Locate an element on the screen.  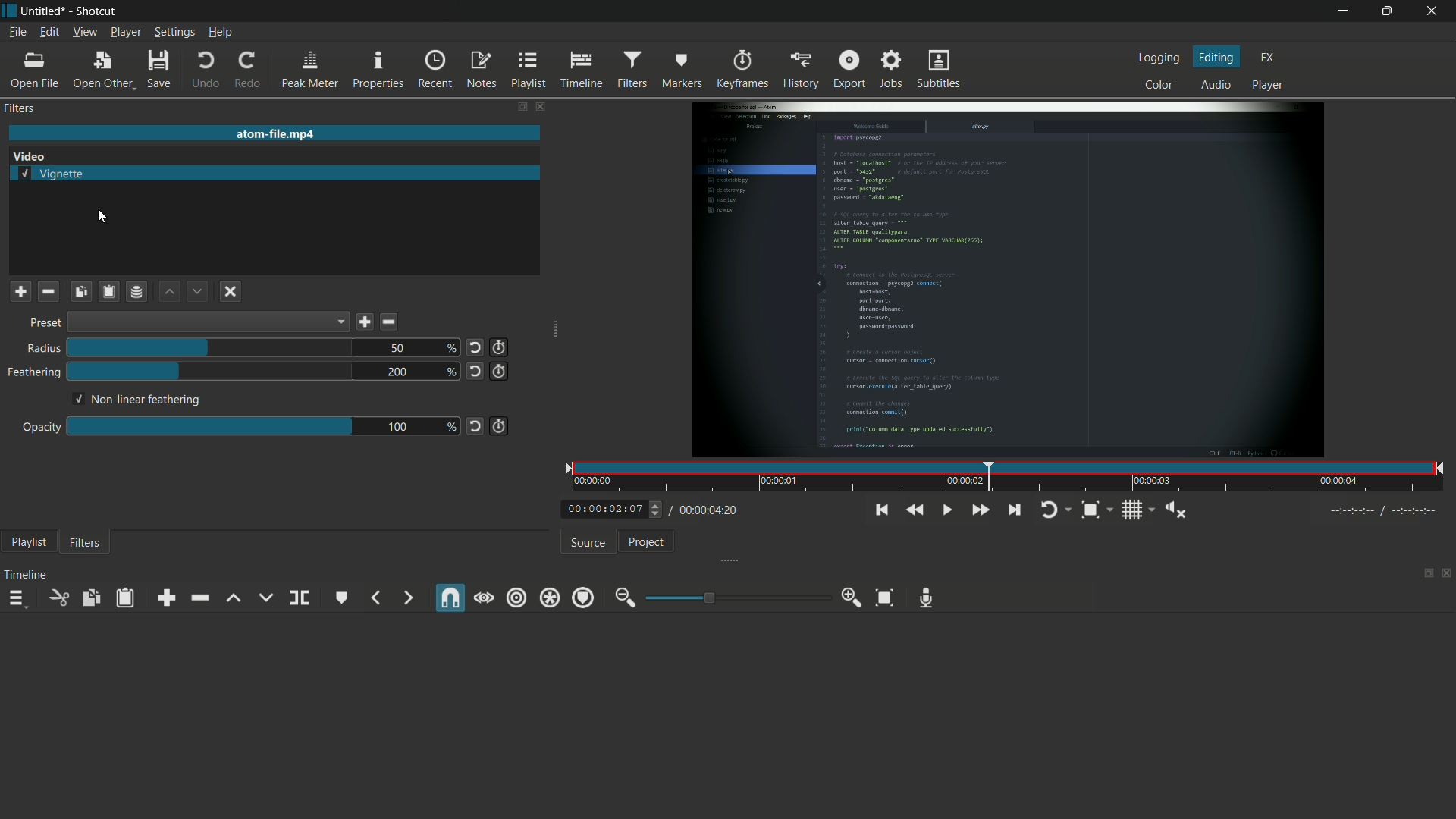
feathering is located at coordinates (31, 372).